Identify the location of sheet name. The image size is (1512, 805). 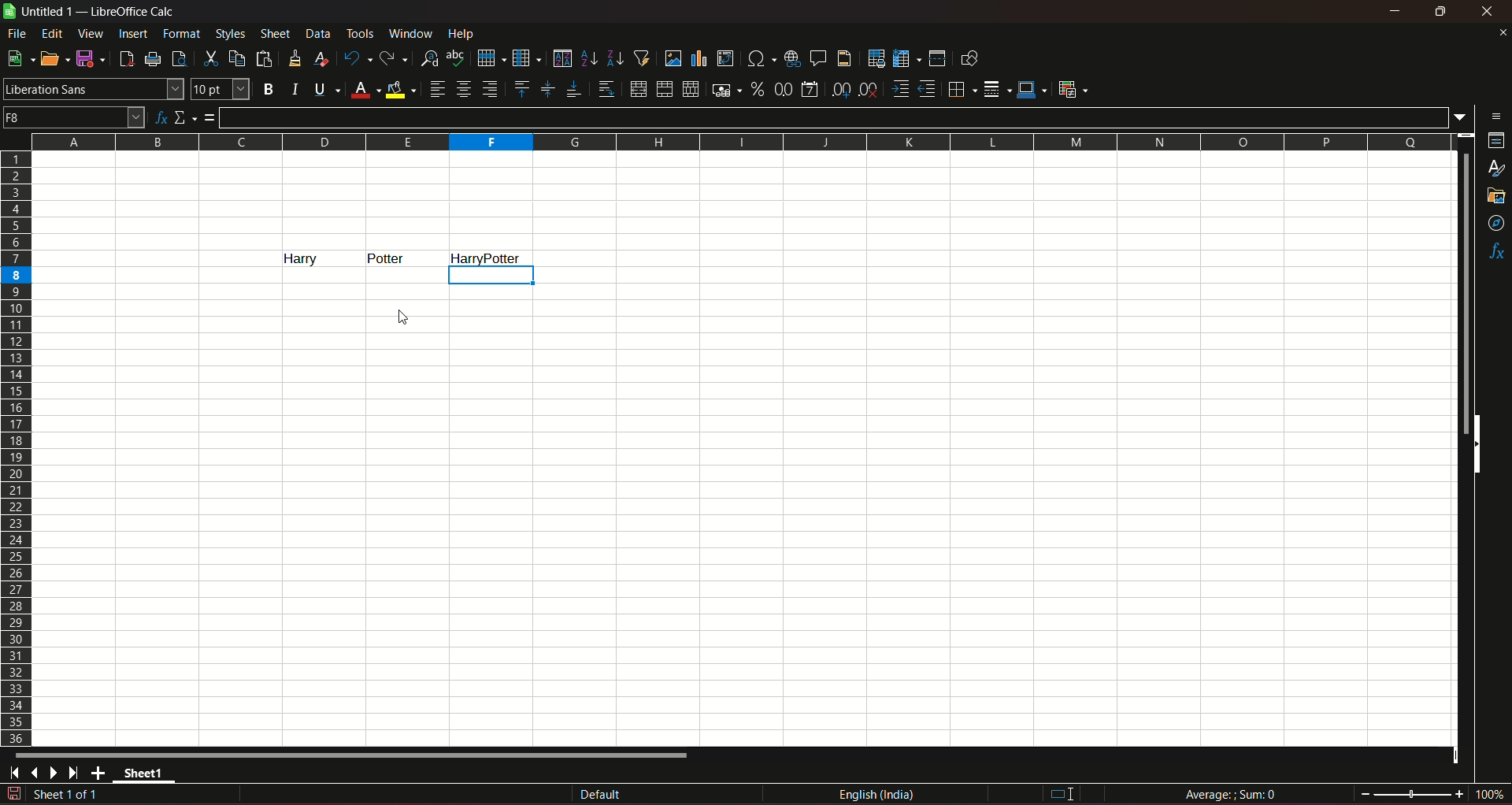
(148, 776).